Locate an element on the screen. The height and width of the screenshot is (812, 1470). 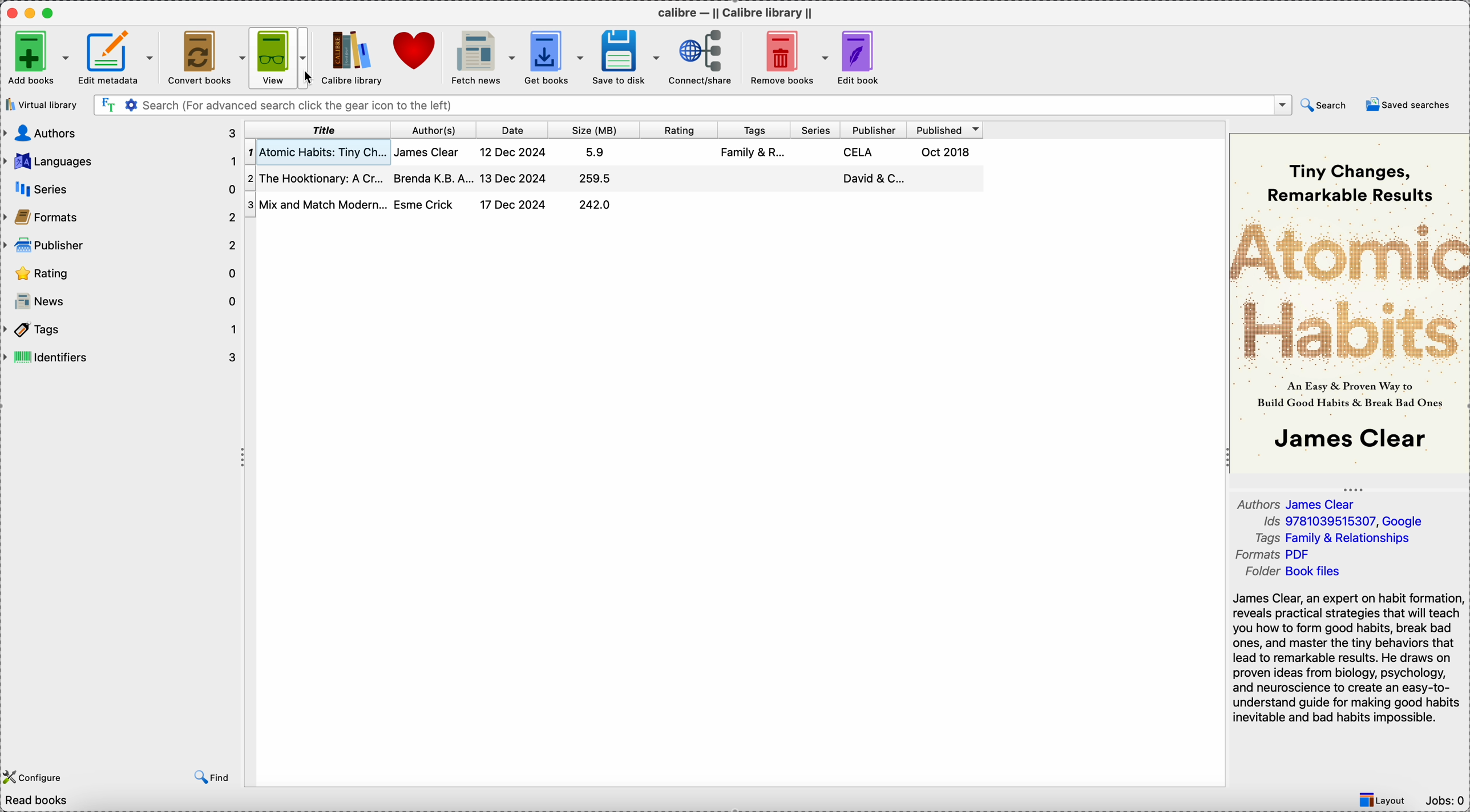
cursor is located at coordinates (311, 78).